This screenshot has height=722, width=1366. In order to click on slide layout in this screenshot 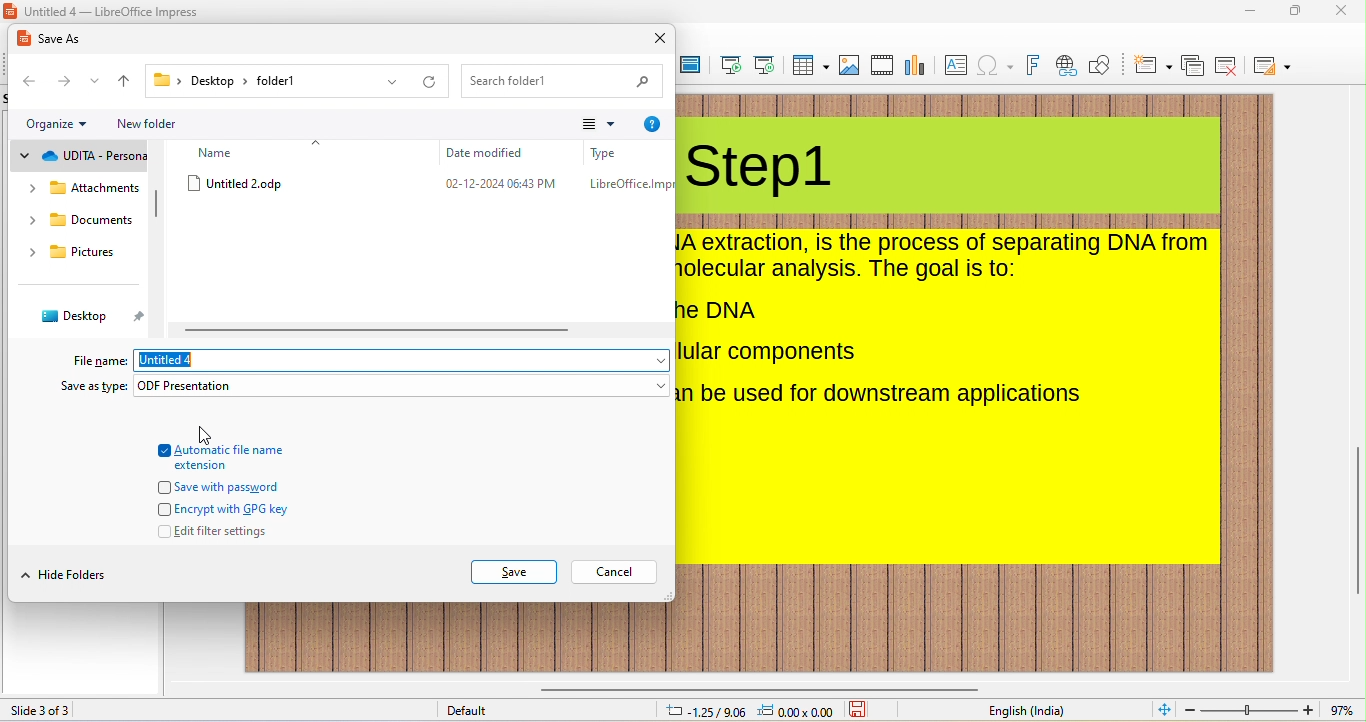, I will do `click(1276, 65)`.